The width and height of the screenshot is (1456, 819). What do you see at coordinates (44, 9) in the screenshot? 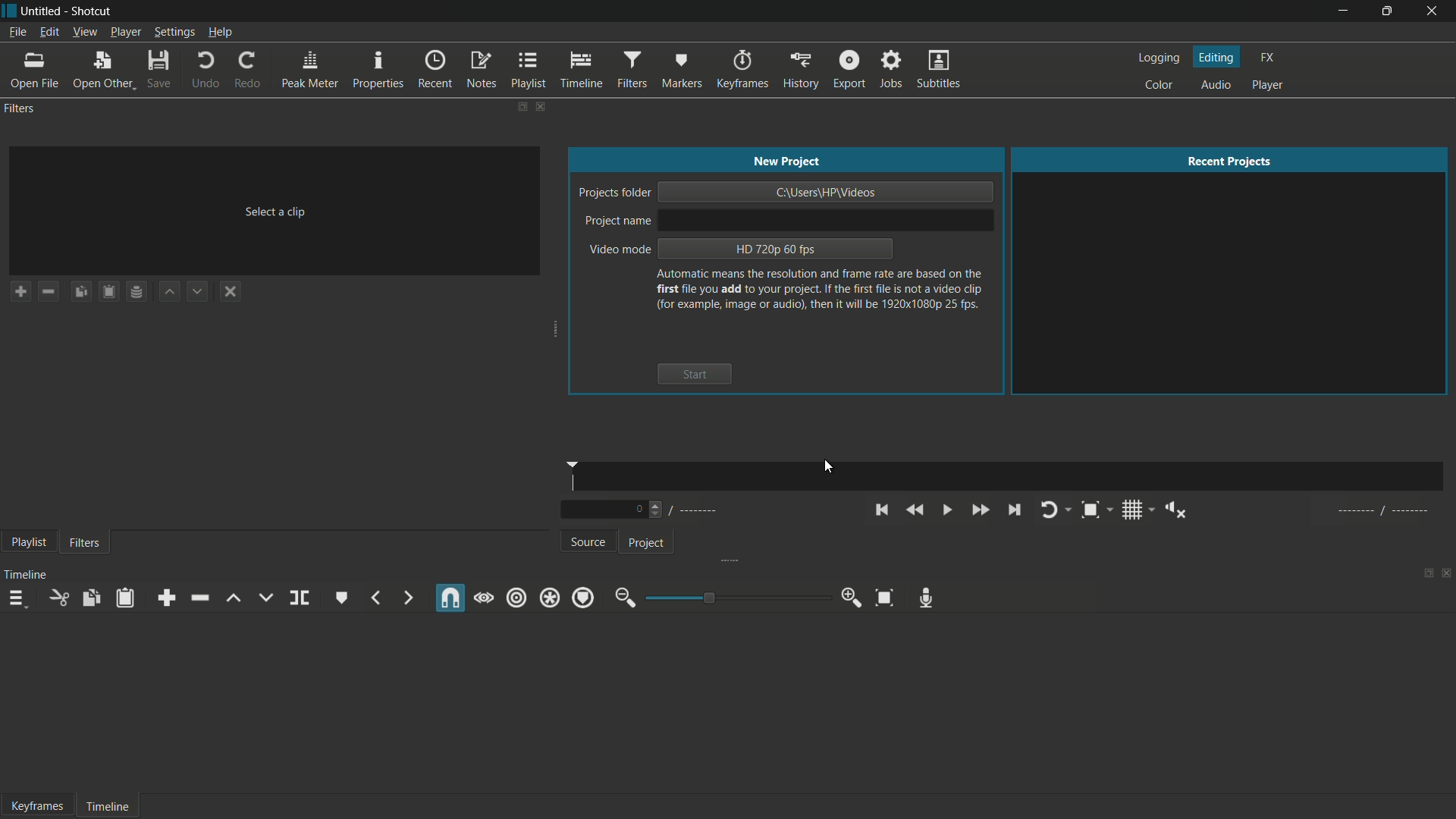
I see `project name` at bounding box center [44, 9].